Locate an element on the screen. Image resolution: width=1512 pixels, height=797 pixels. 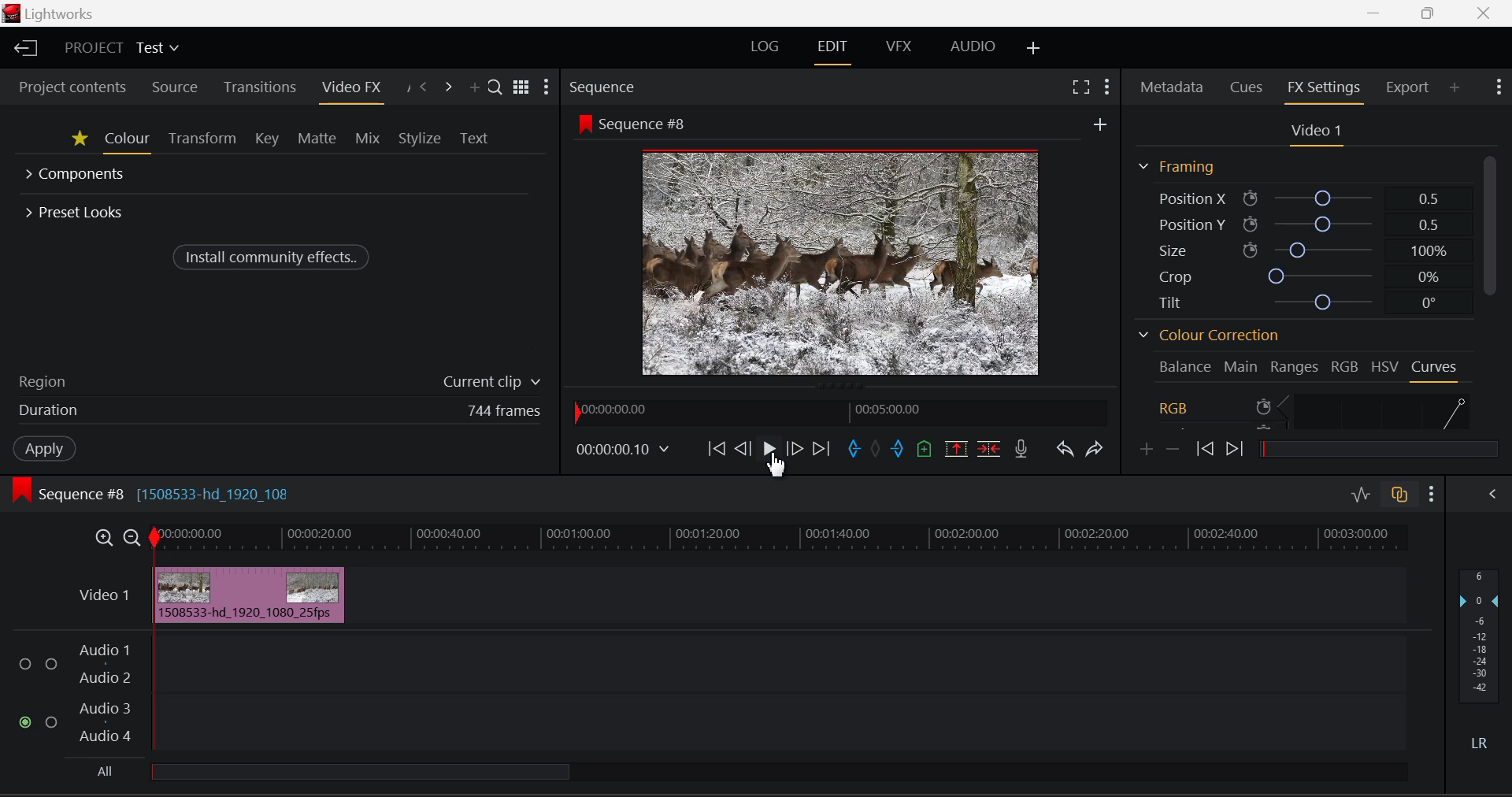
Audio Level is located at coordinates (706, 692).